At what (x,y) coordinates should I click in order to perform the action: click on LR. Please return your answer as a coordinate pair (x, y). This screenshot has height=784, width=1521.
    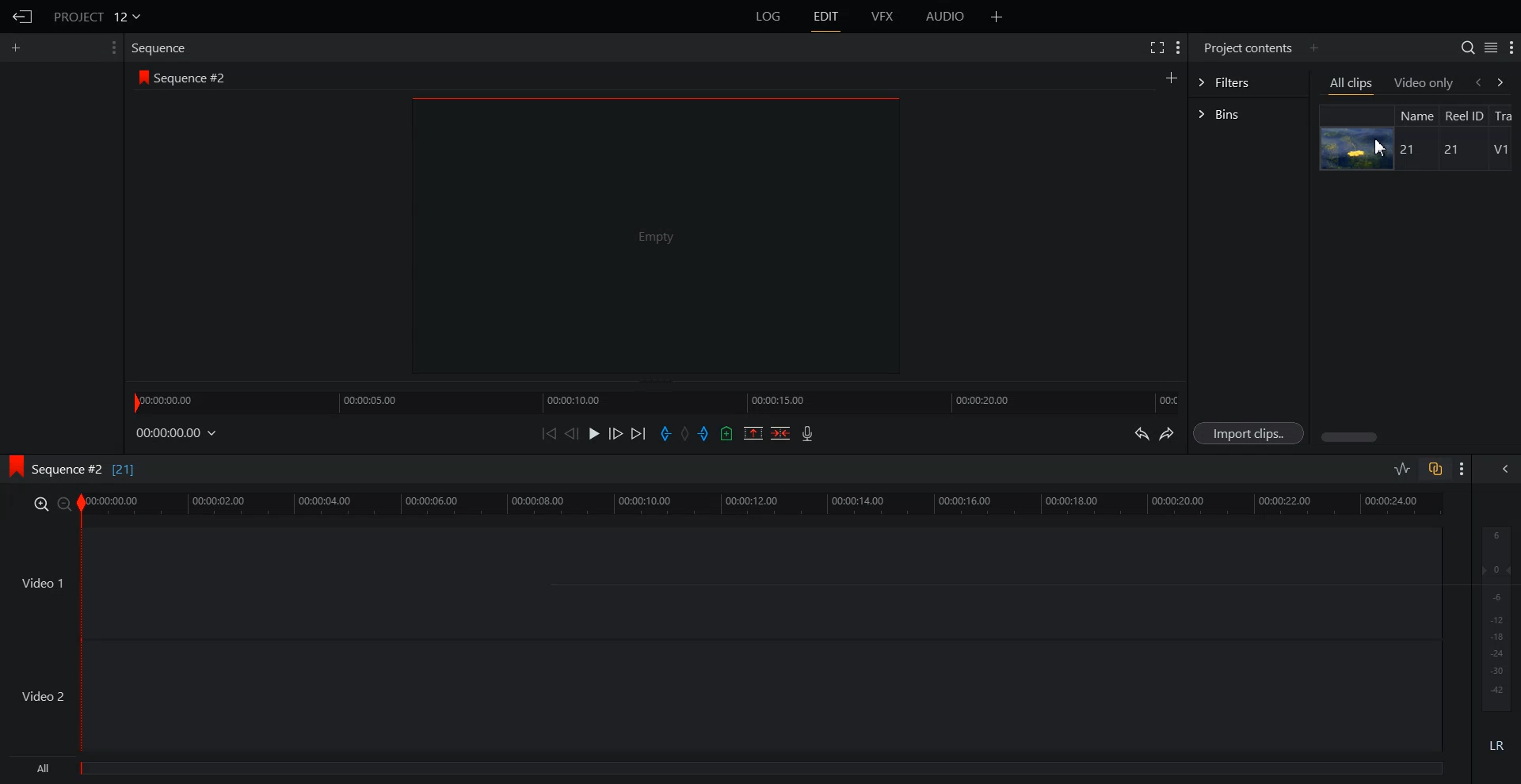
    Looking at the image, I should click on (1494, 748).